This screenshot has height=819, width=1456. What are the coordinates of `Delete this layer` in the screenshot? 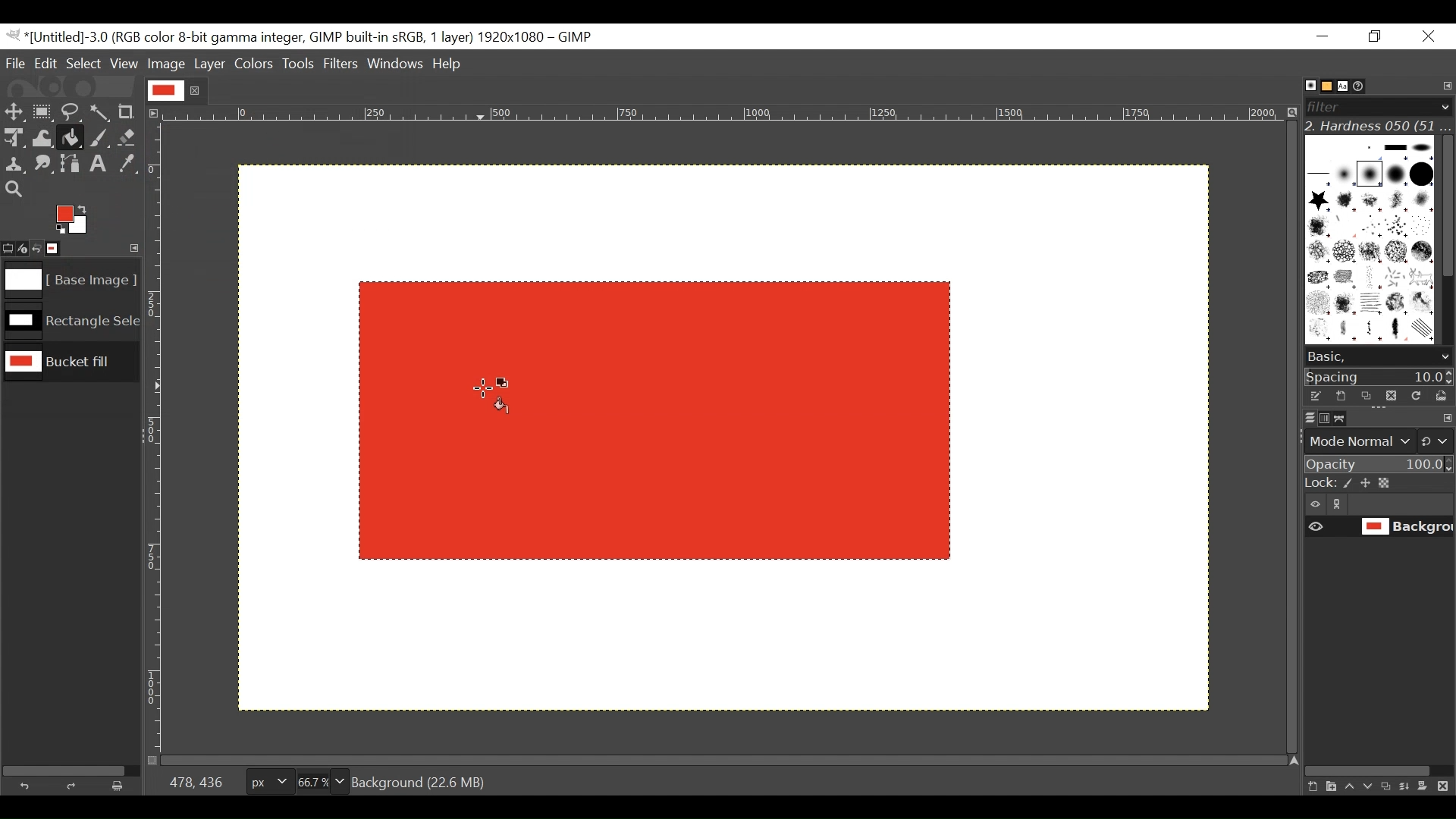 It's located at (1446, 787).